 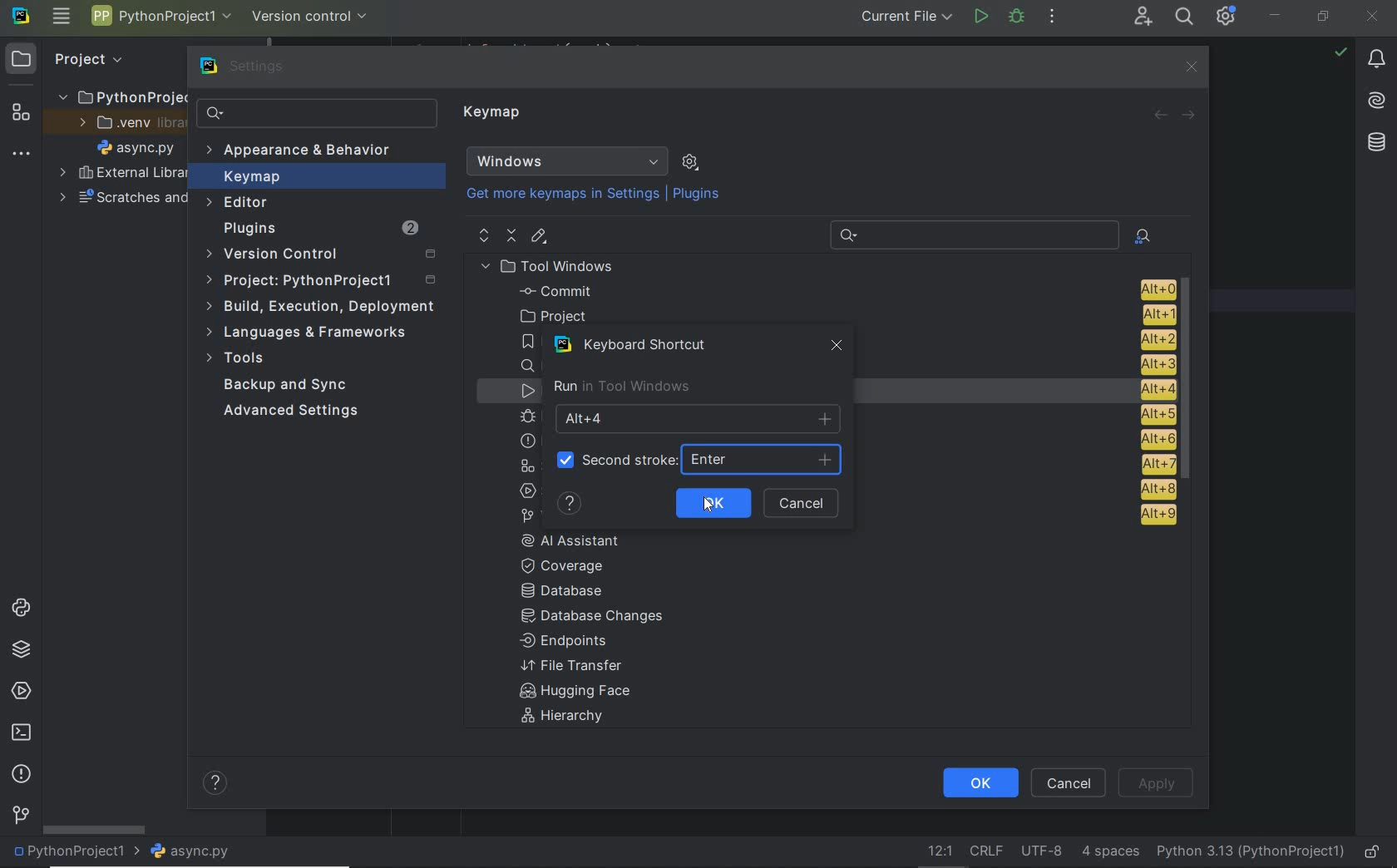 What do you see at coordinates (1374, 15) in the screenshot?
I see `close` at bounding box center [1374, 15].